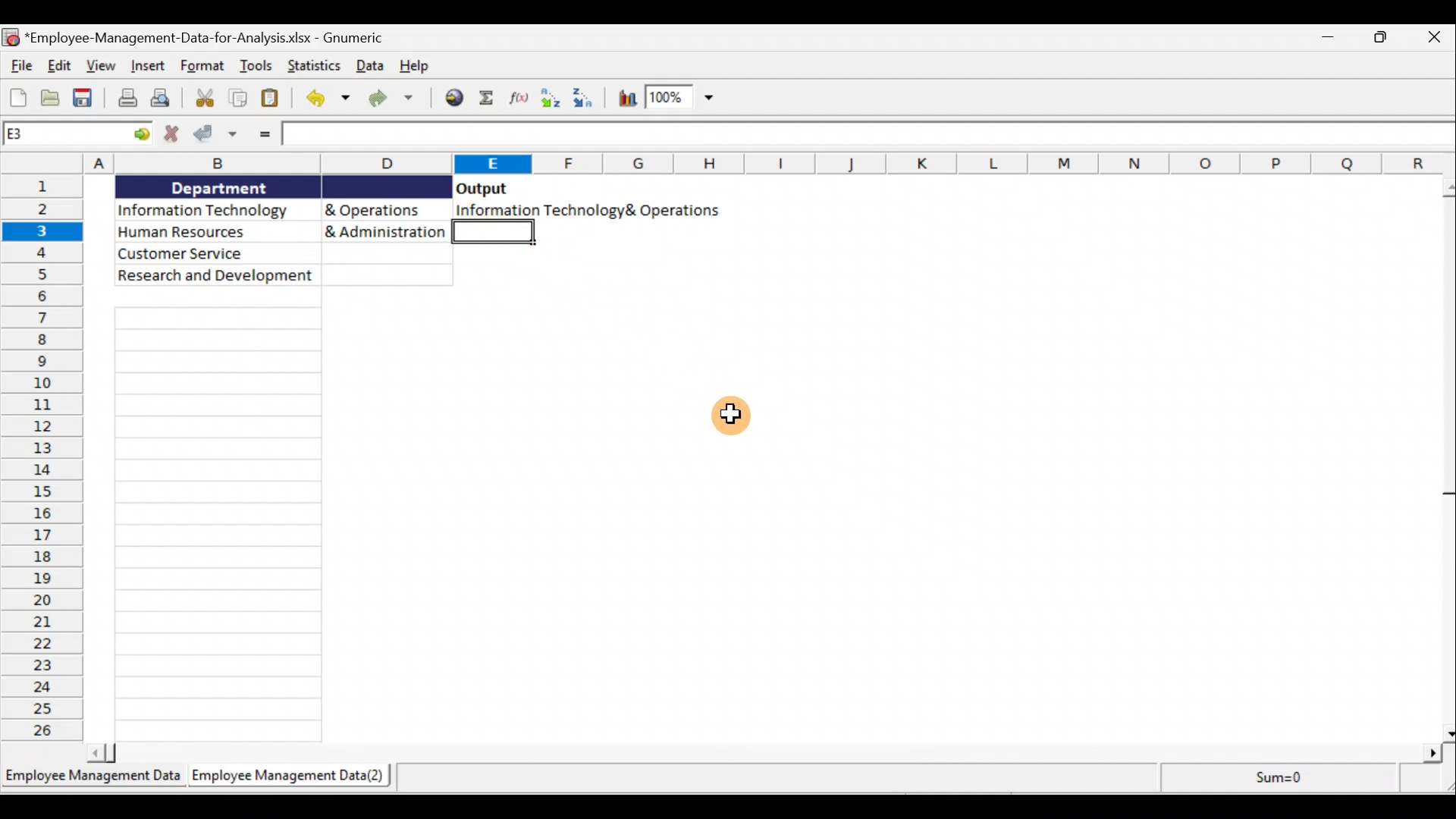 The height and width of the screenshot is (819, 1456). I want to click on Cancel change, so click(171, 136).